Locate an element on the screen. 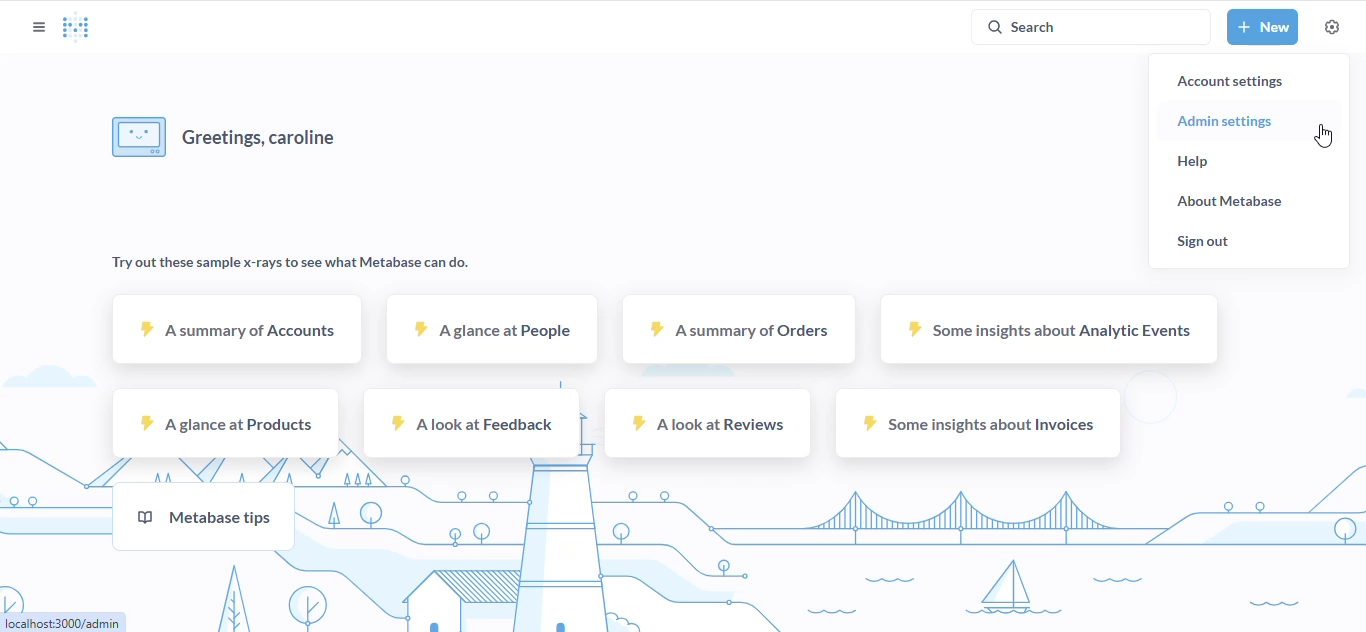 The width and height of the screenshot is (1366, 632). some insights about analytic events is located at coordinates (1049, 330).